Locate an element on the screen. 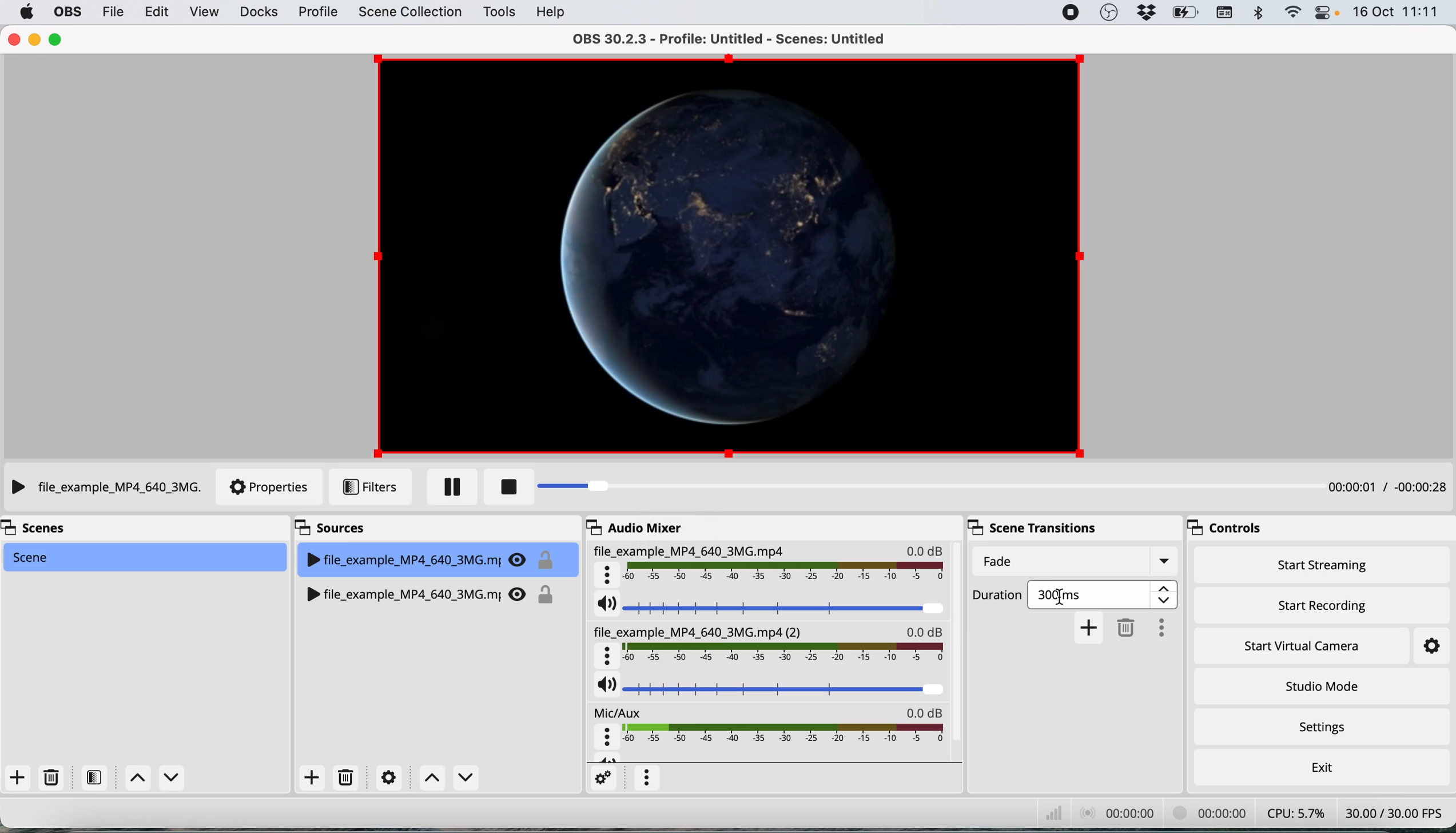 The height and width of the screenshot is (833, 1456). file is located at coordinates (112, 13).